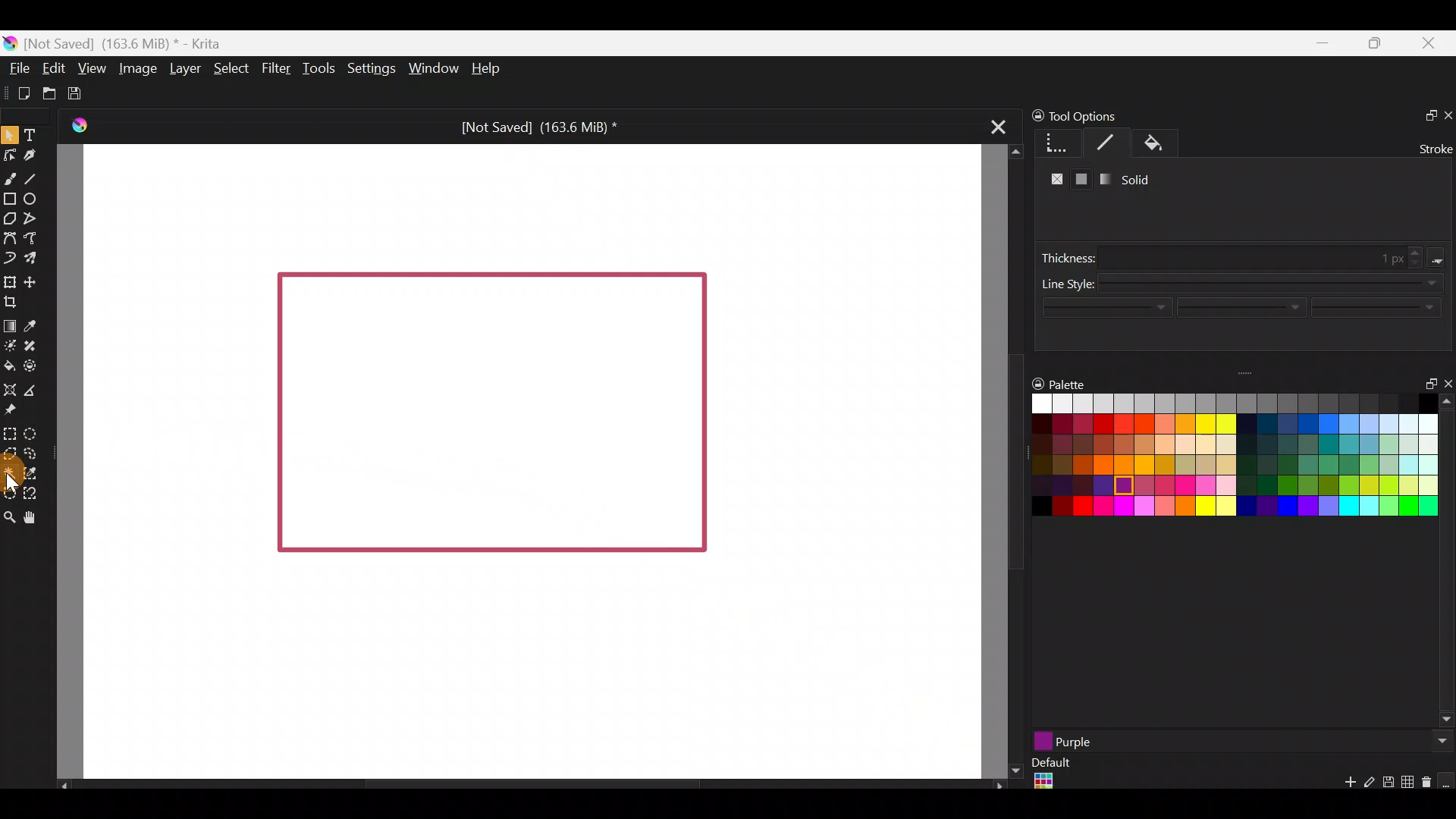 The image size is (1456, 819). What do you see at coordinates (10, 326) in the screenshot?
I see `Draw a gradient` at bounding box center [10, 326].